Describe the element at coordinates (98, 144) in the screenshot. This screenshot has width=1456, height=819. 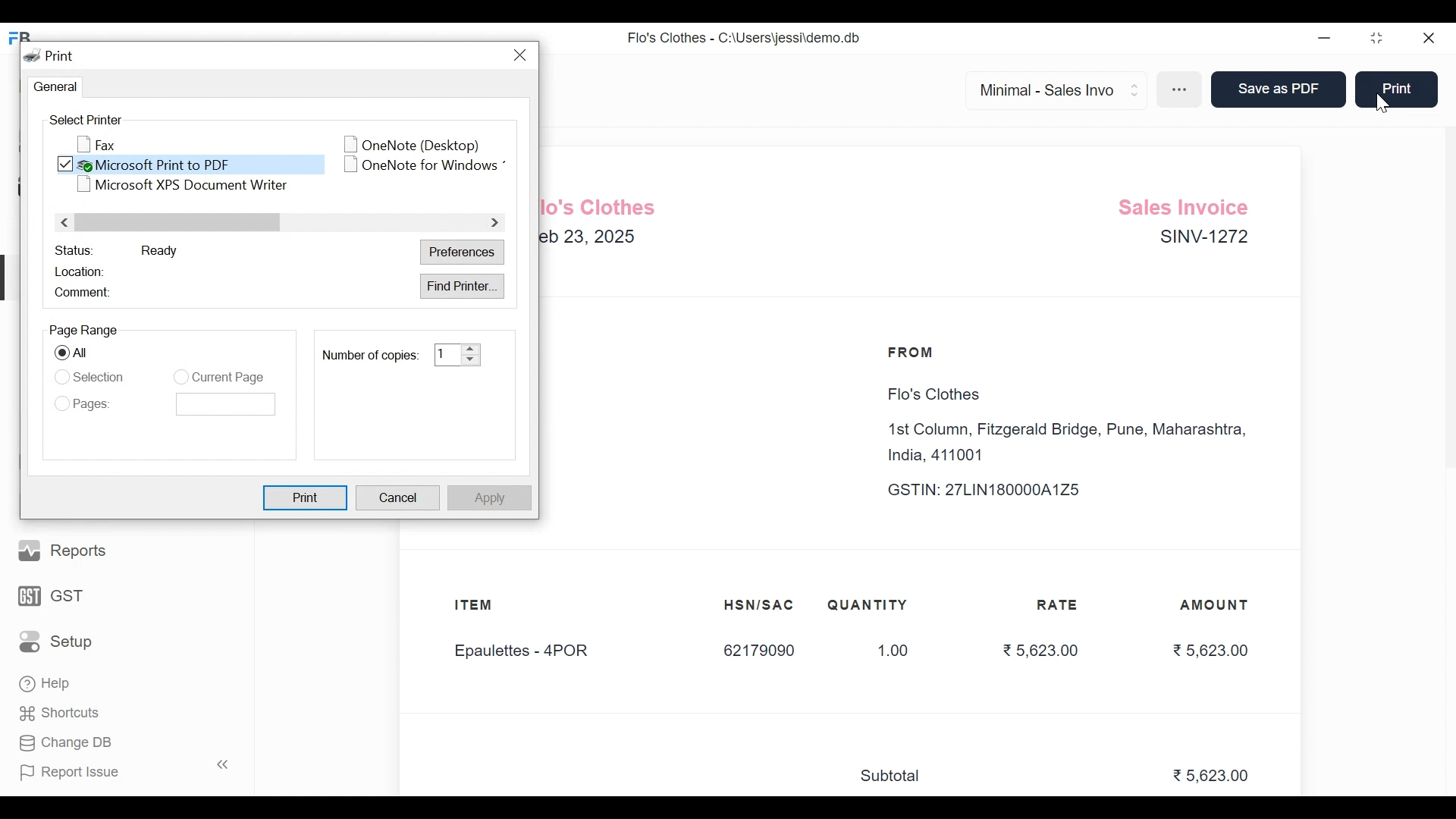
I see `Fax` at that location.